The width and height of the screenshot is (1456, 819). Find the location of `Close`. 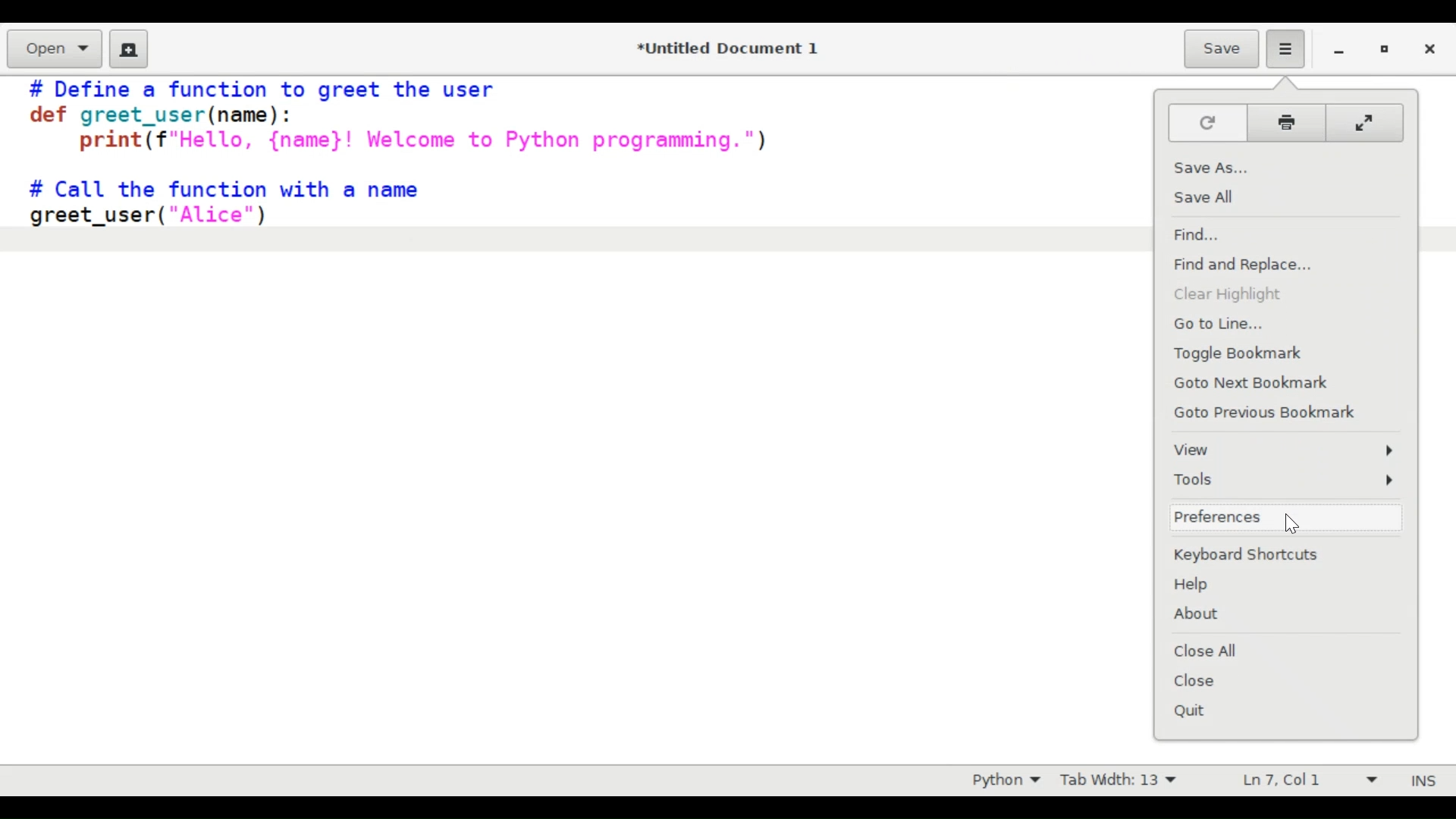

Close is located at coordinates (1428, 48).